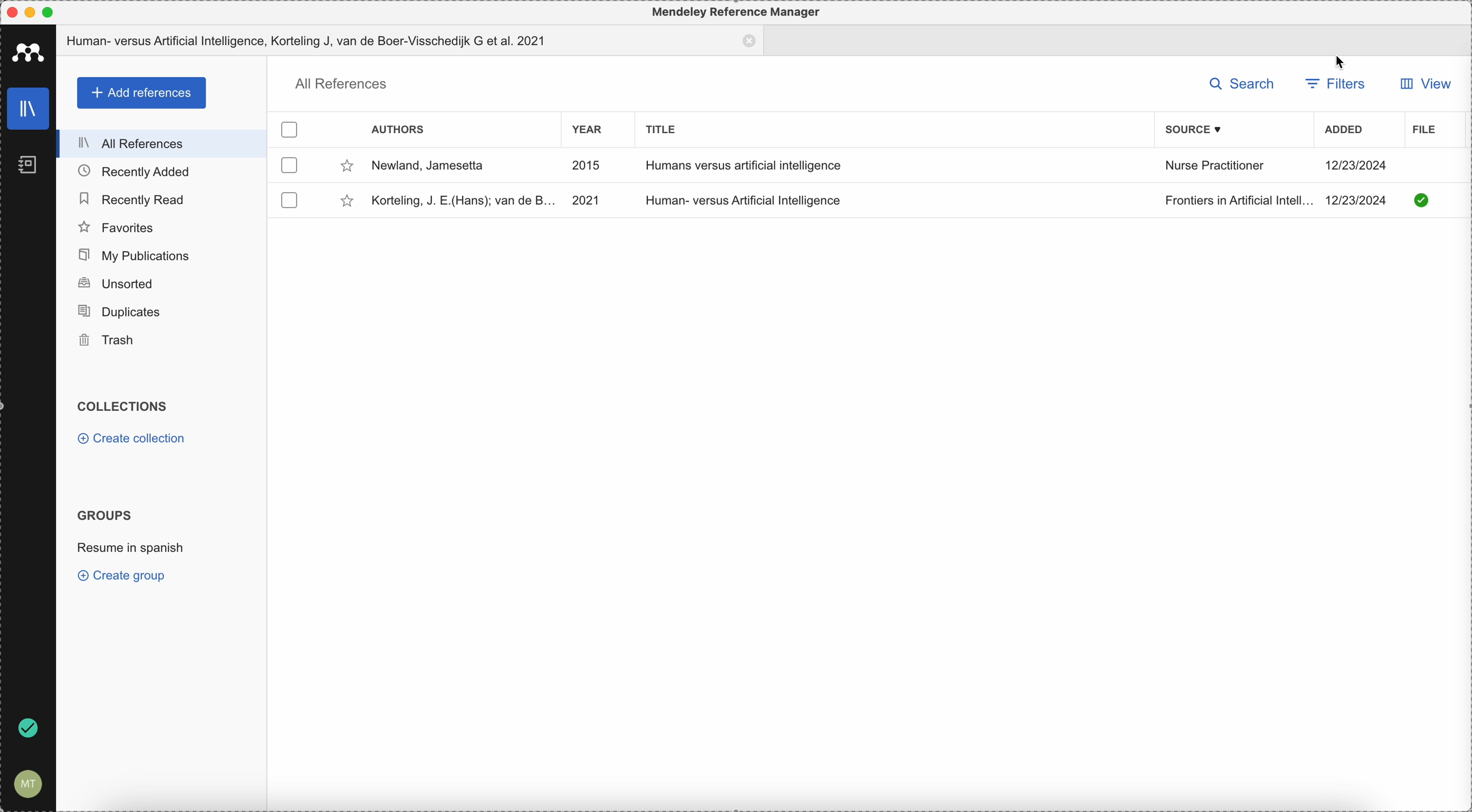 The image size is (1472, 812). What do you see at coordinates (27, 52) in the screenshot?
I see `Mendeley icon` at bounding box center [27, 52].